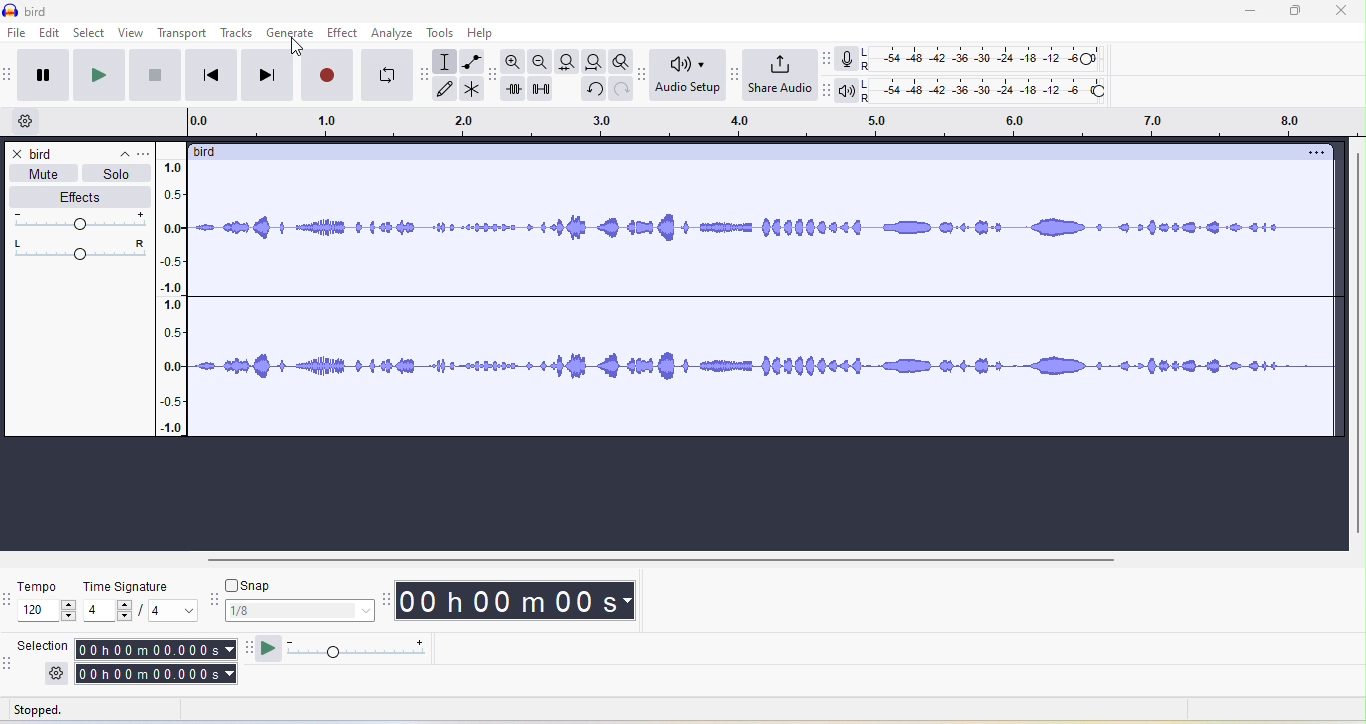  Describe the element at coordinates (44, 74) in the screenshot. I see `pause` at that location.